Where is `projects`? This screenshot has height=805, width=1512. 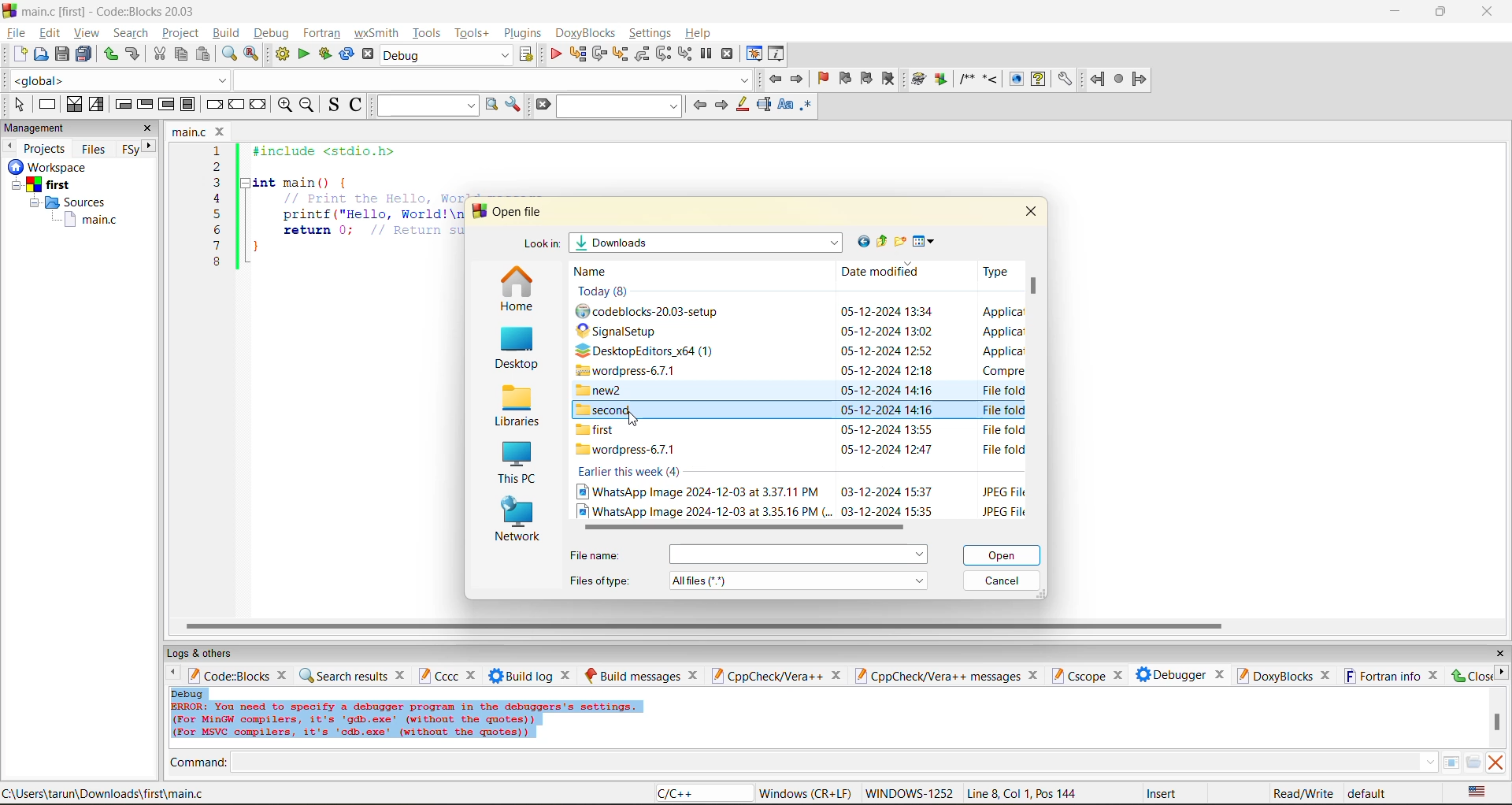
projects is located at coordinates (46, 148).